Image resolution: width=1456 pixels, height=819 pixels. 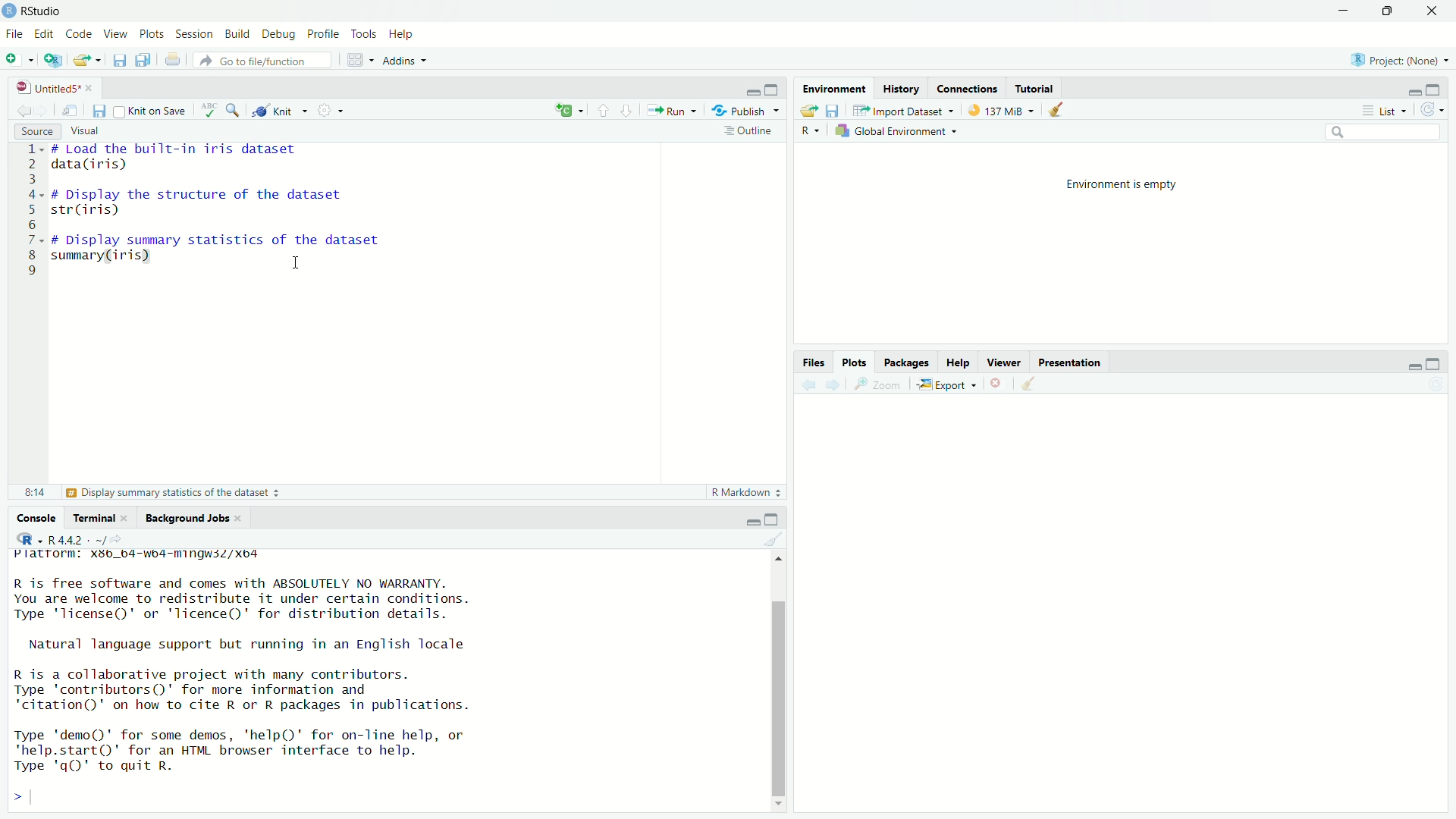 I want to click on Connections, so click(x=967, y=87).